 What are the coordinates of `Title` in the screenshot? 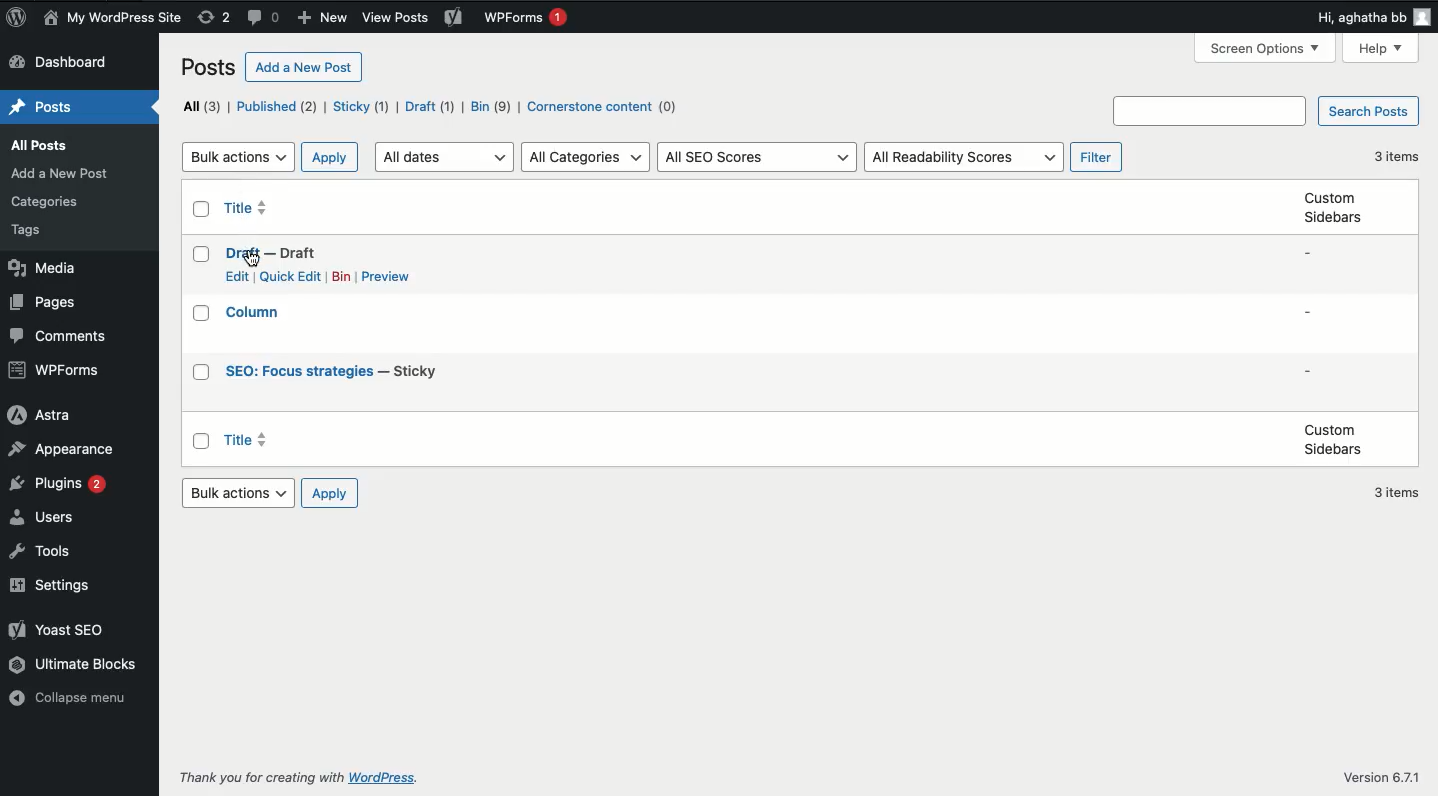 It's located at (256, 311).